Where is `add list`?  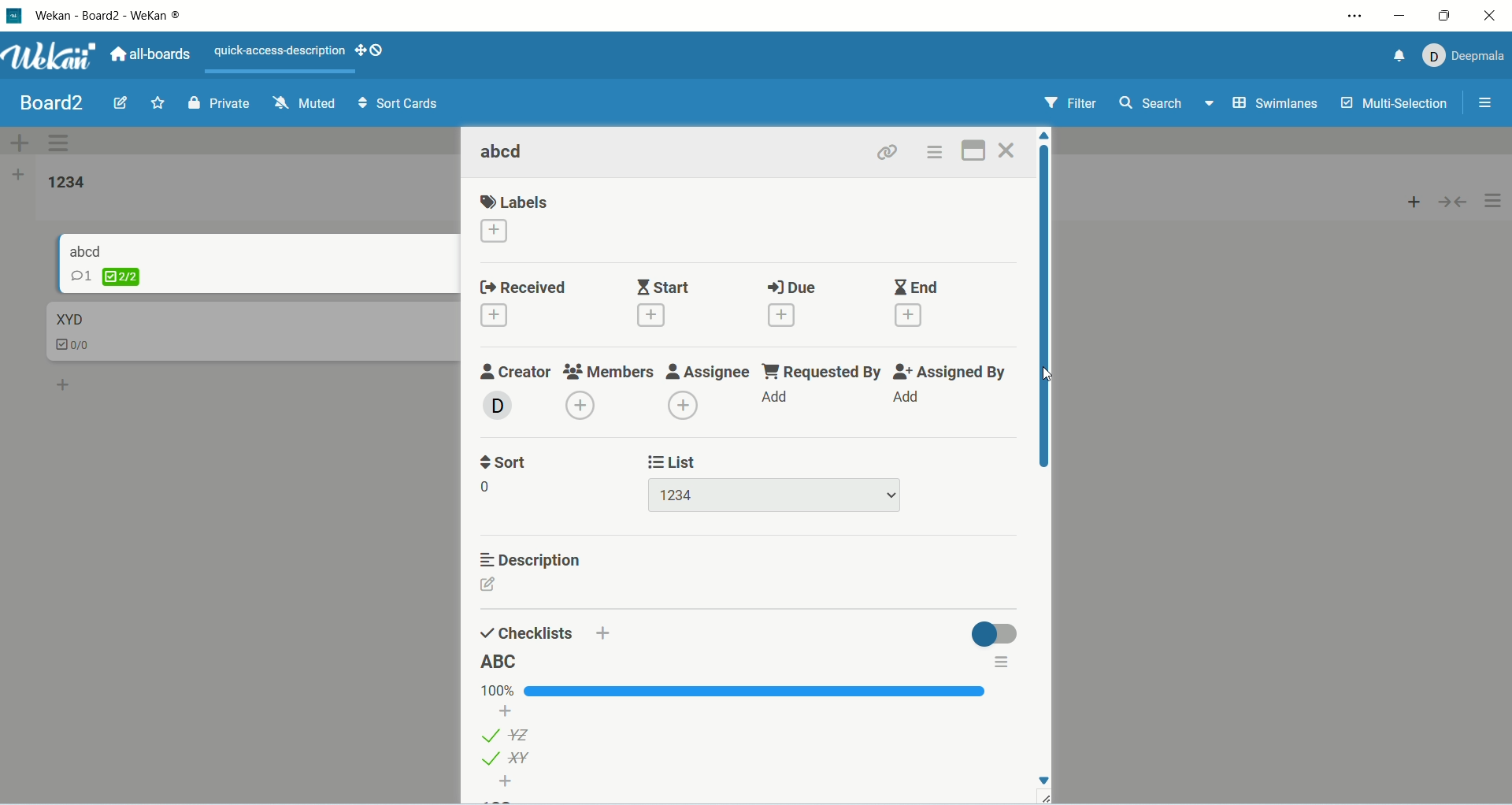 add list is located at coordinates (20, 175).